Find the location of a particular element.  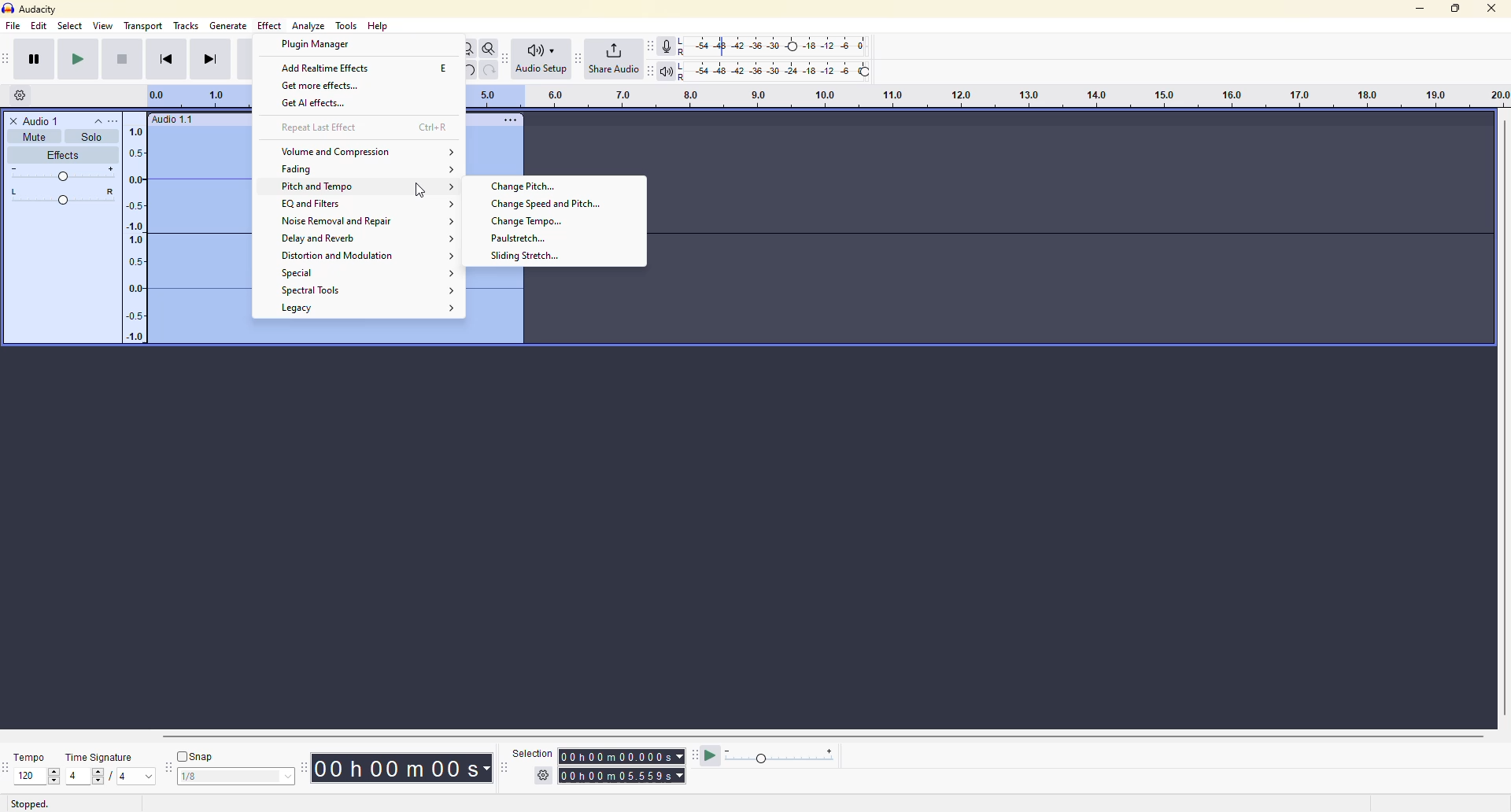

effect is located at coordinates (271, 25).